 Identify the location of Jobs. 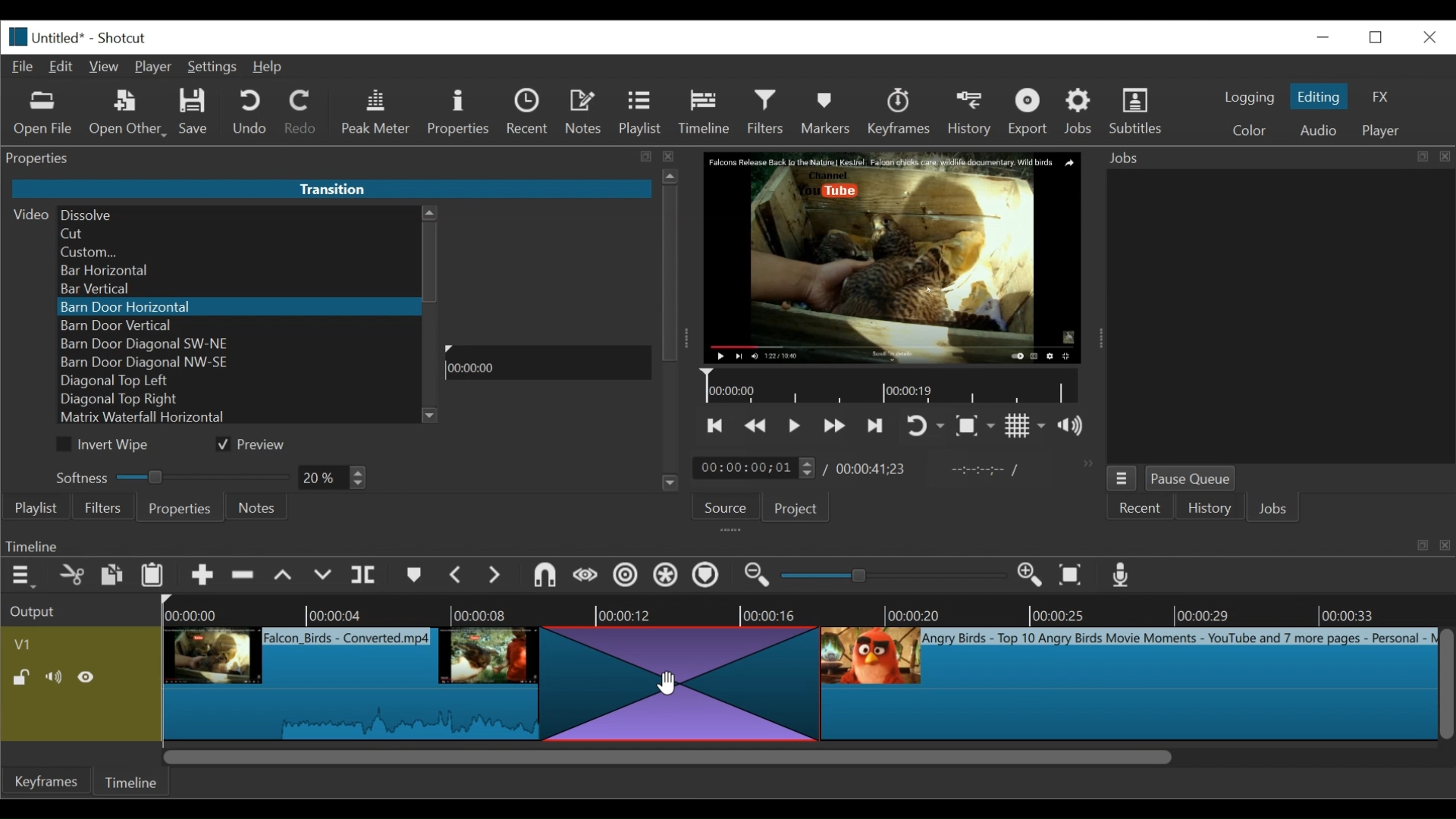
(1081, 111).